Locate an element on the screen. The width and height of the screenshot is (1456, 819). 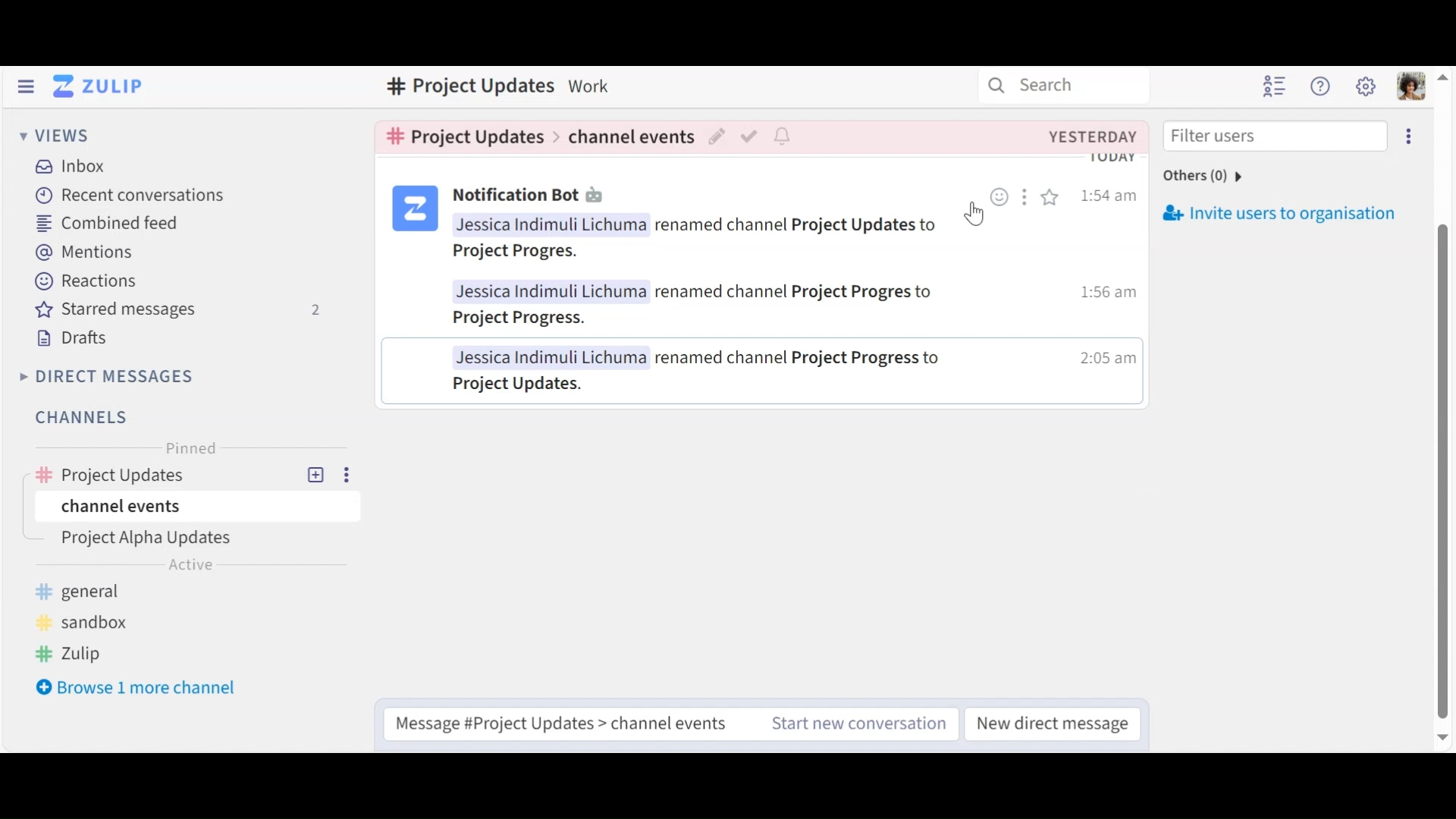
message is located at coordinates (710, 306).